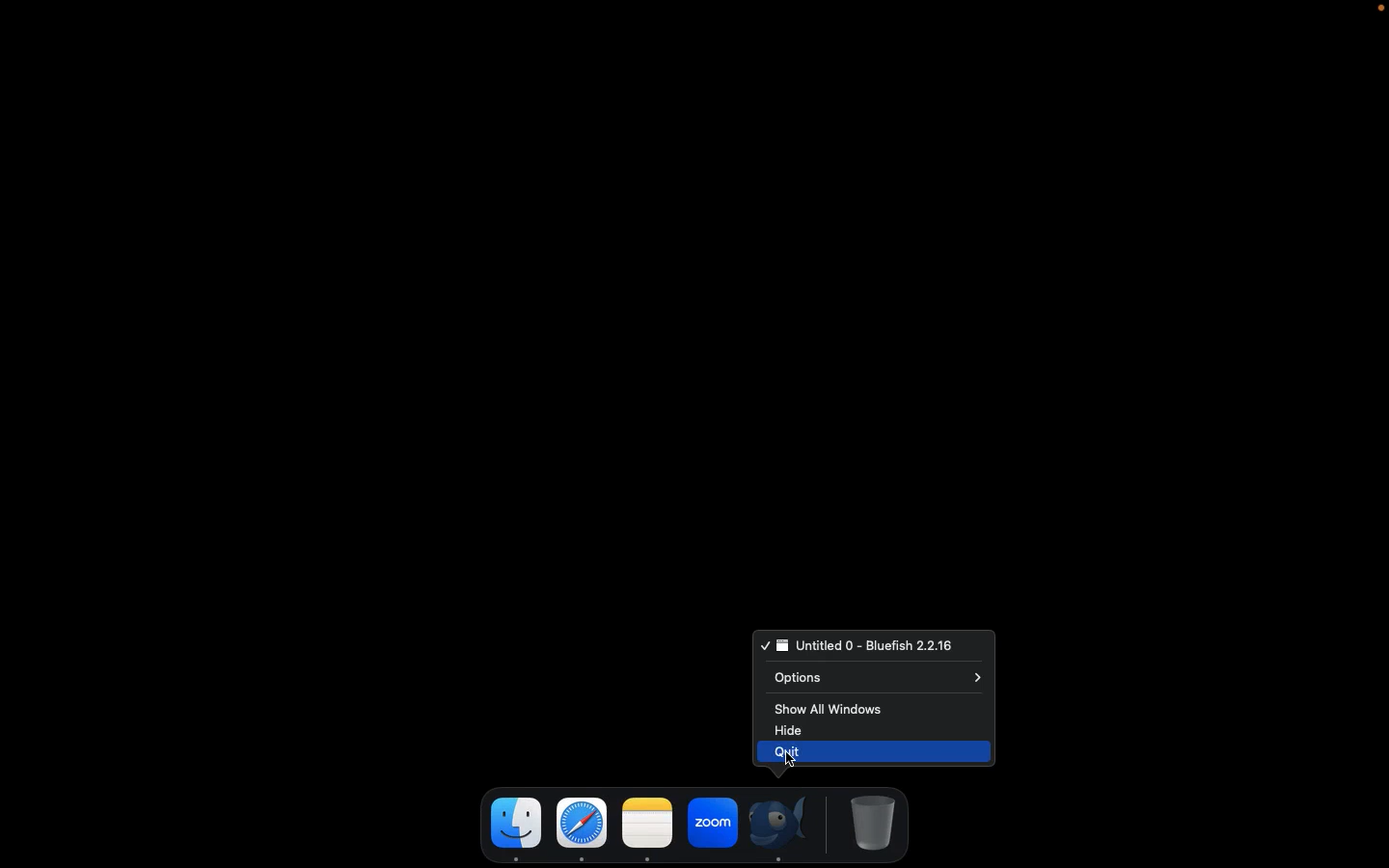 Image resolution: width=1389 pixels, height=868 pixels. I want to click on Bluefish, so click(785, 826).